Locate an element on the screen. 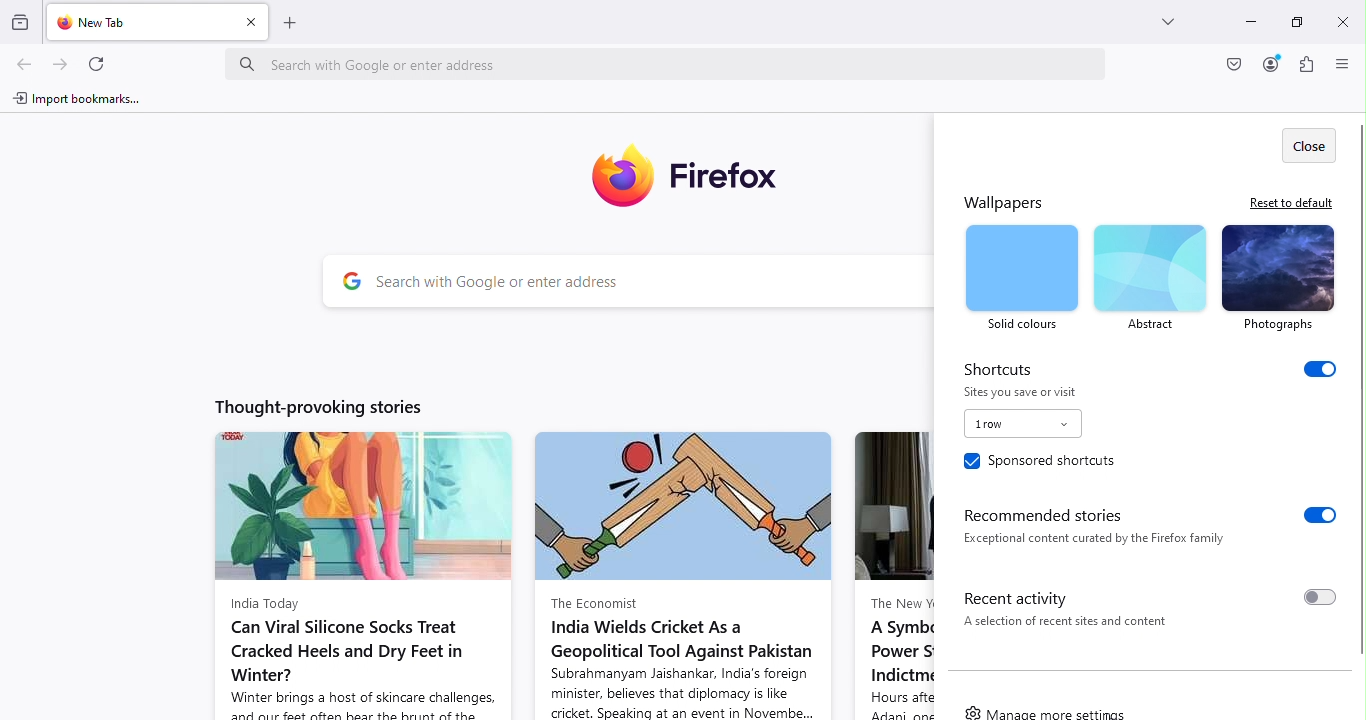 The width and height of the screenshot is (1366, 720). Minimize is located at coordinates (1241, 19).